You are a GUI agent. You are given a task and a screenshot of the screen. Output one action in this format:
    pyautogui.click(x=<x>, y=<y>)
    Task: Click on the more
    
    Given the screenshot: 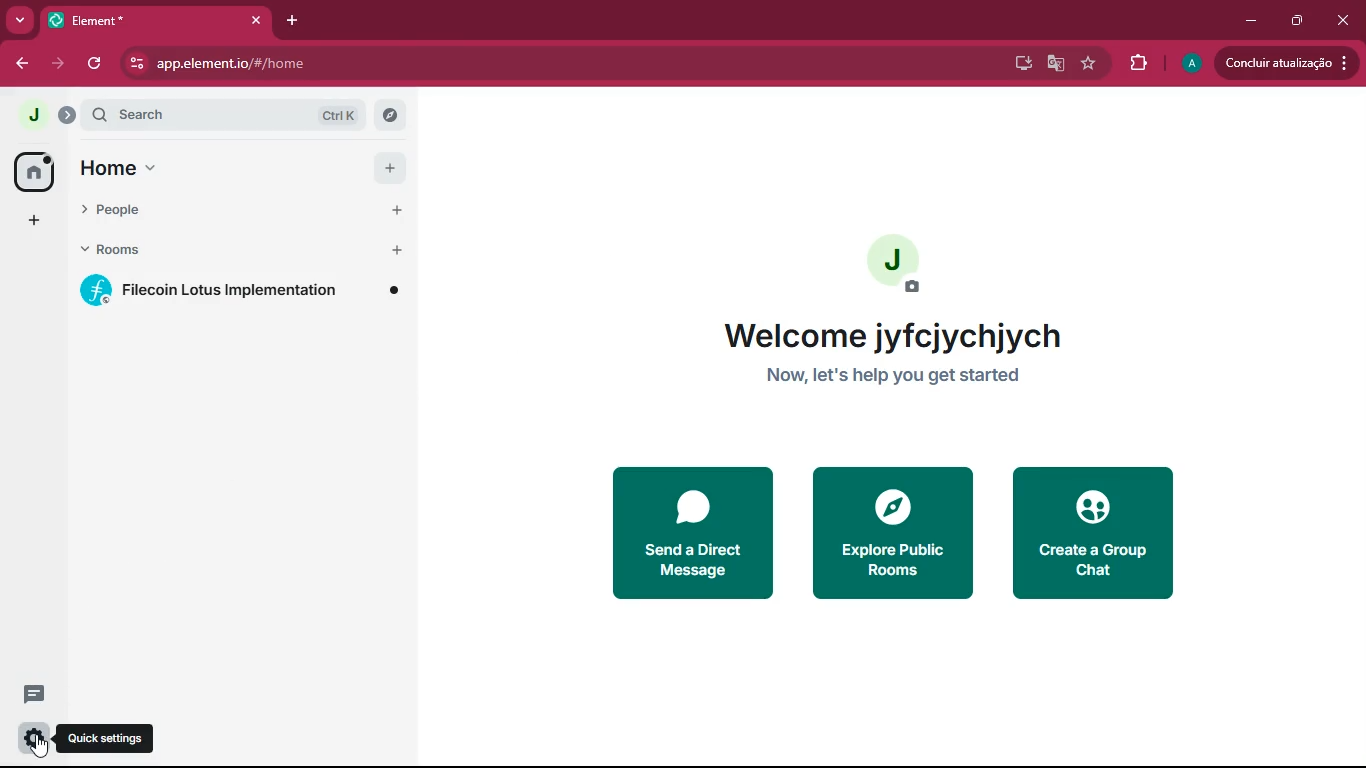 What is the action you would take?
    pyautogui.click(x=20, y=20)
    